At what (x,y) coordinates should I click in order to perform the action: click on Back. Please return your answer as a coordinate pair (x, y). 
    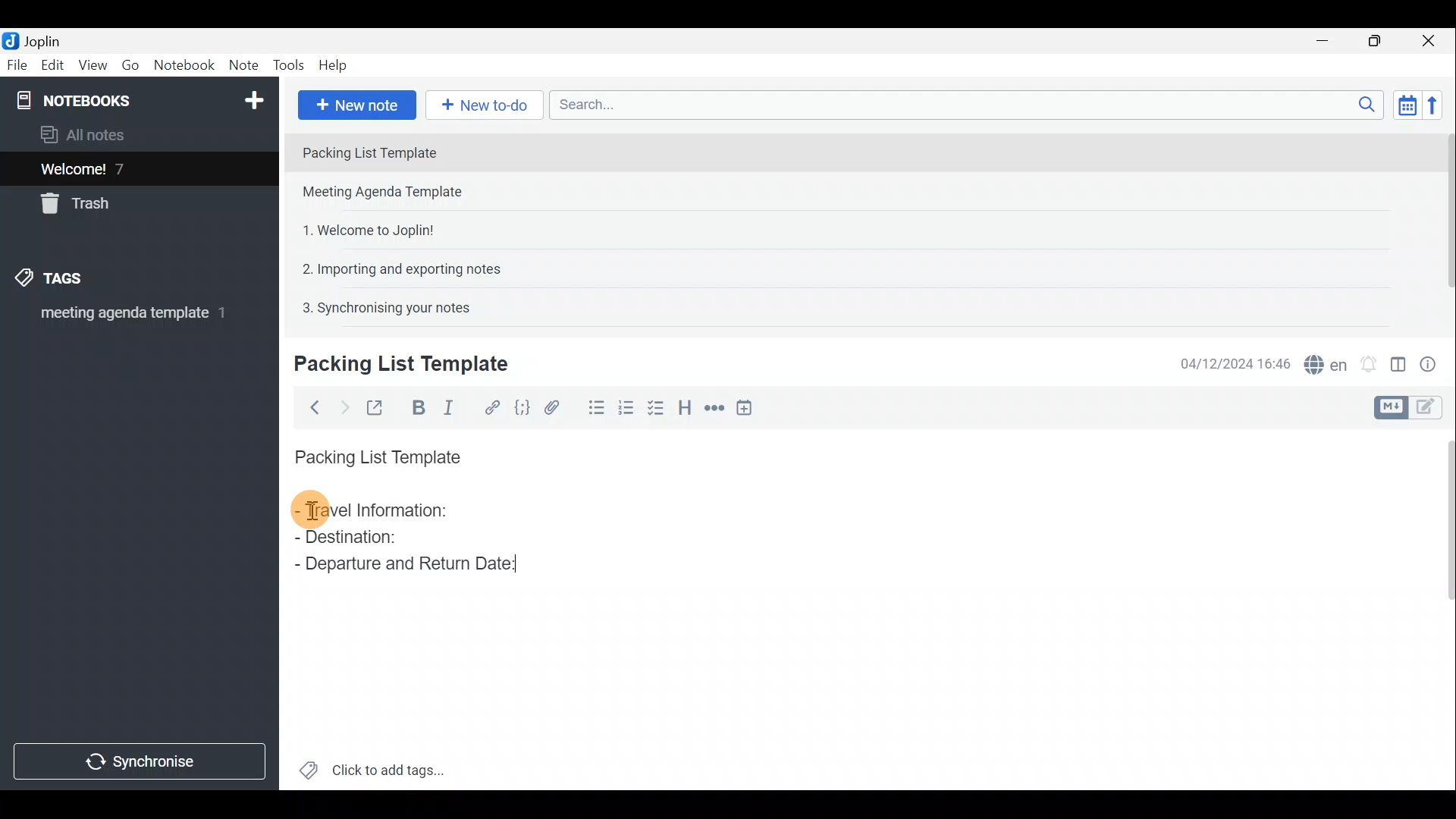
    Looking at the image, I should click on (312, 407).